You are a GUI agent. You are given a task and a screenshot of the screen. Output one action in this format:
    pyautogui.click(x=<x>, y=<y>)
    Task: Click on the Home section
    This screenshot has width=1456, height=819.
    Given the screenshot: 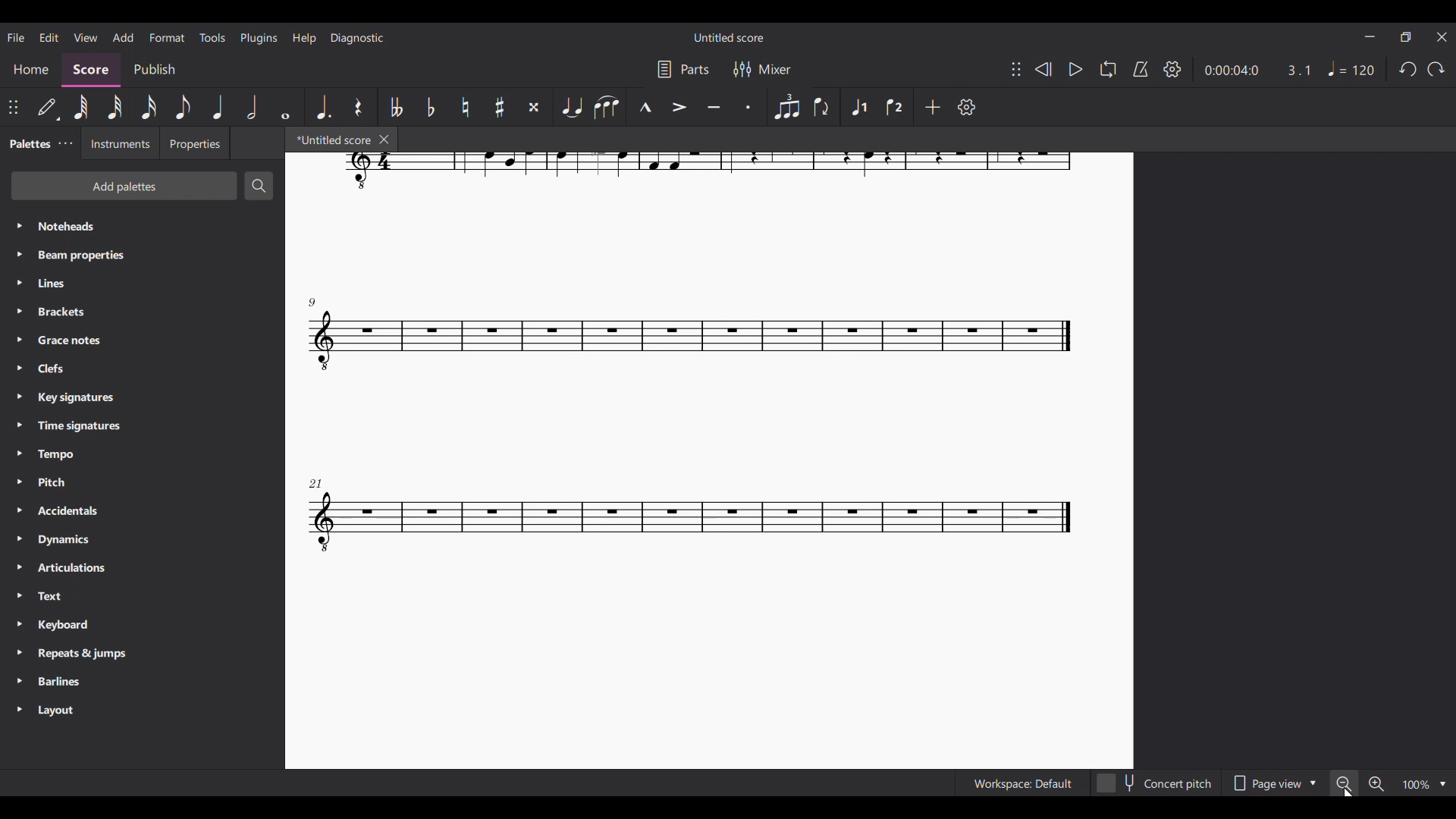 What is the action you would take?
    pyautogui.click(x=32, y=70)
    